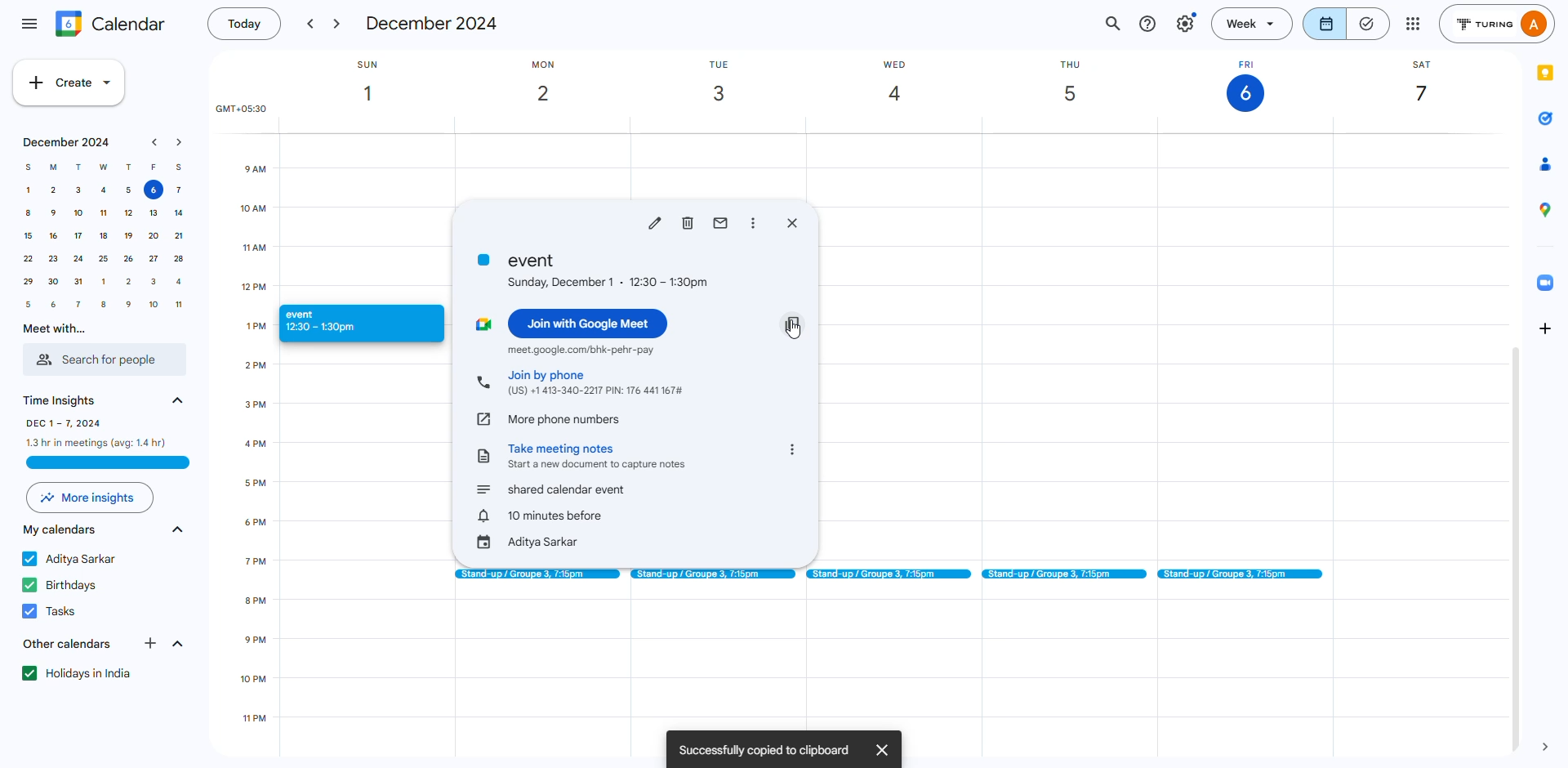 The image size is (1568, 768). Describe the element at coordinates (25, 214) in the screenshot. I see `8` at that location.